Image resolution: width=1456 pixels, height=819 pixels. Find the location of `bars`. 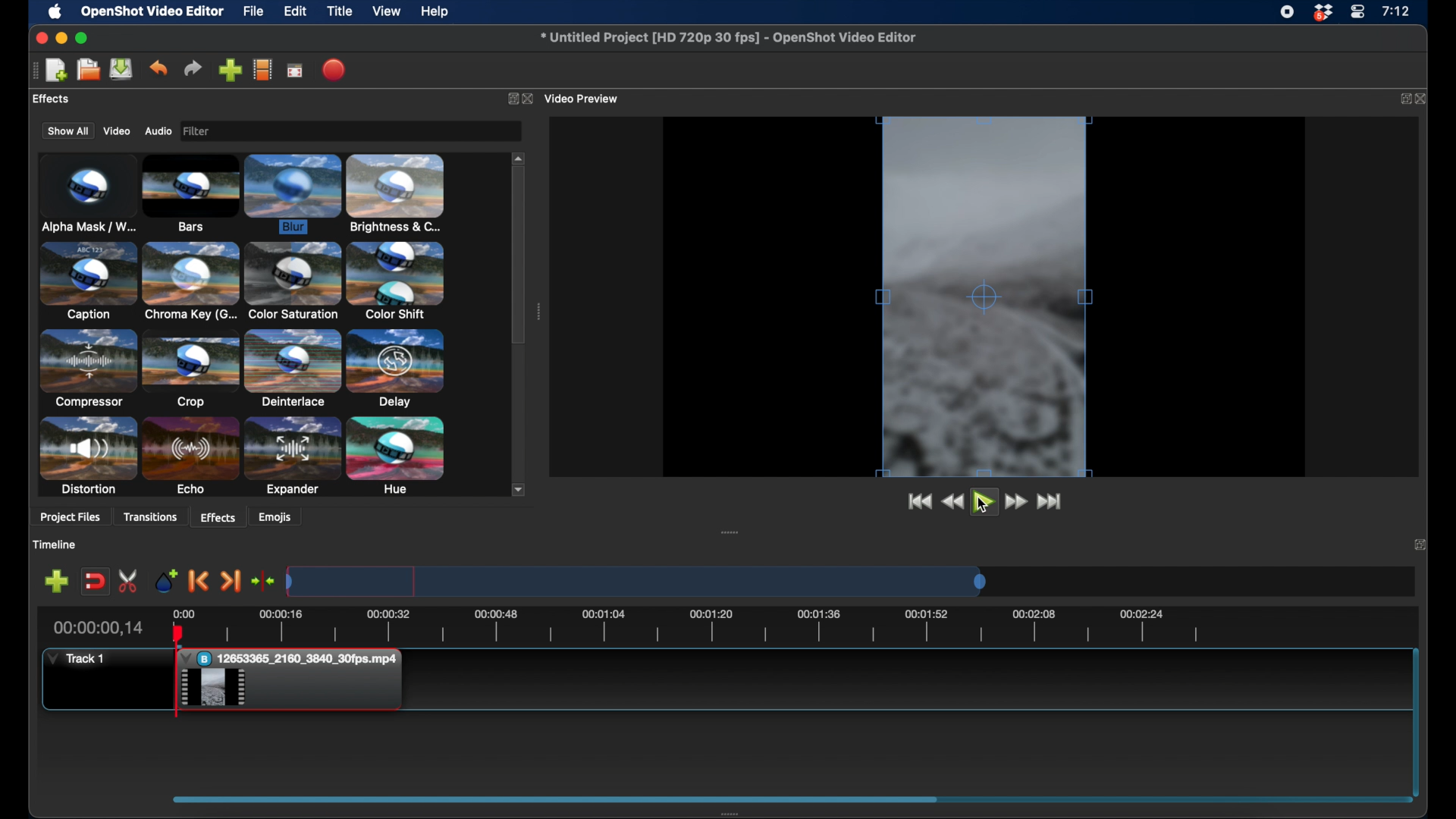

bars is located at coordinates (191, 194).